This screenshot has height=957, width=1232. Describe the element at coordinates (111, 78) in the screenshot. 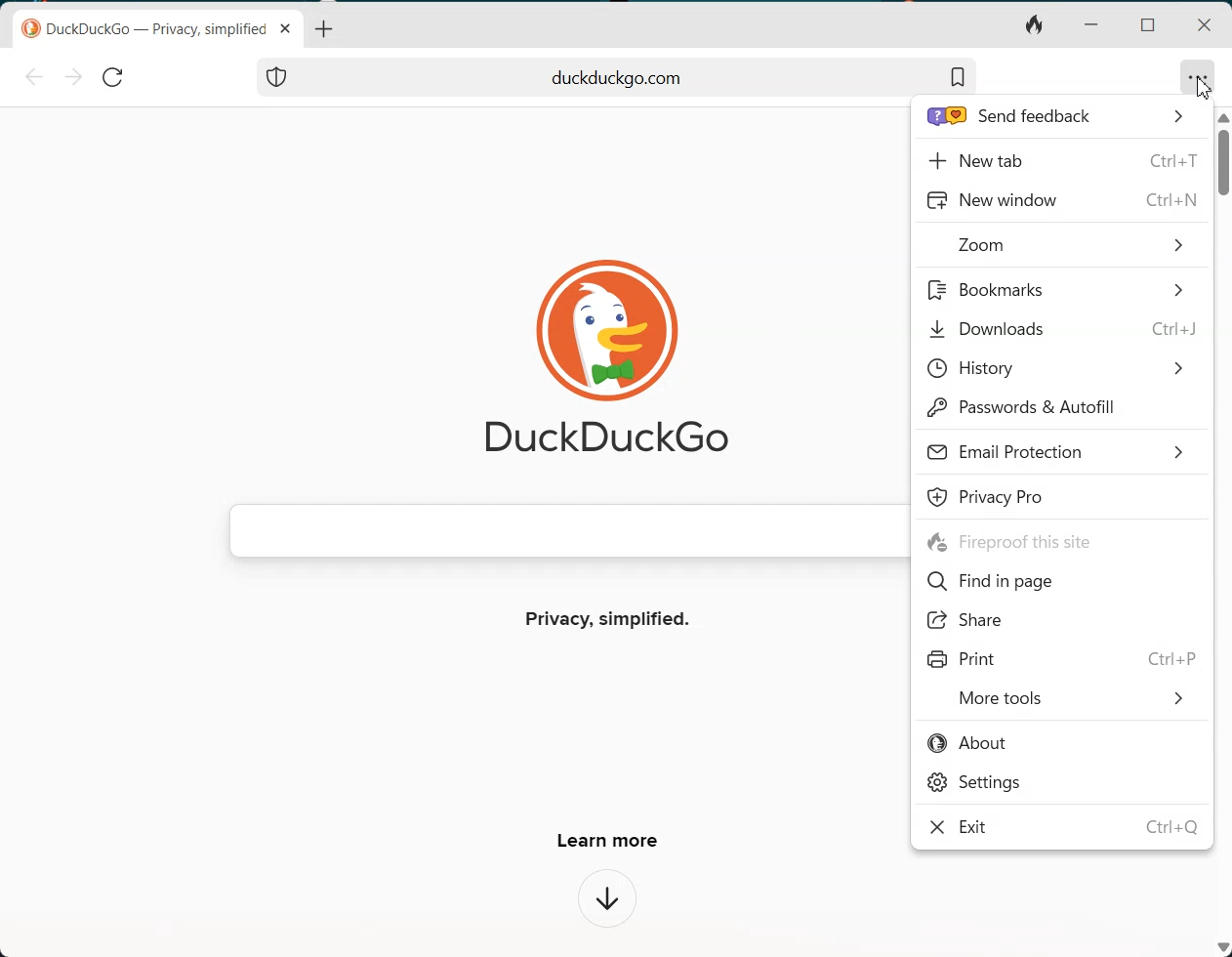

I see `Reload` at that location.